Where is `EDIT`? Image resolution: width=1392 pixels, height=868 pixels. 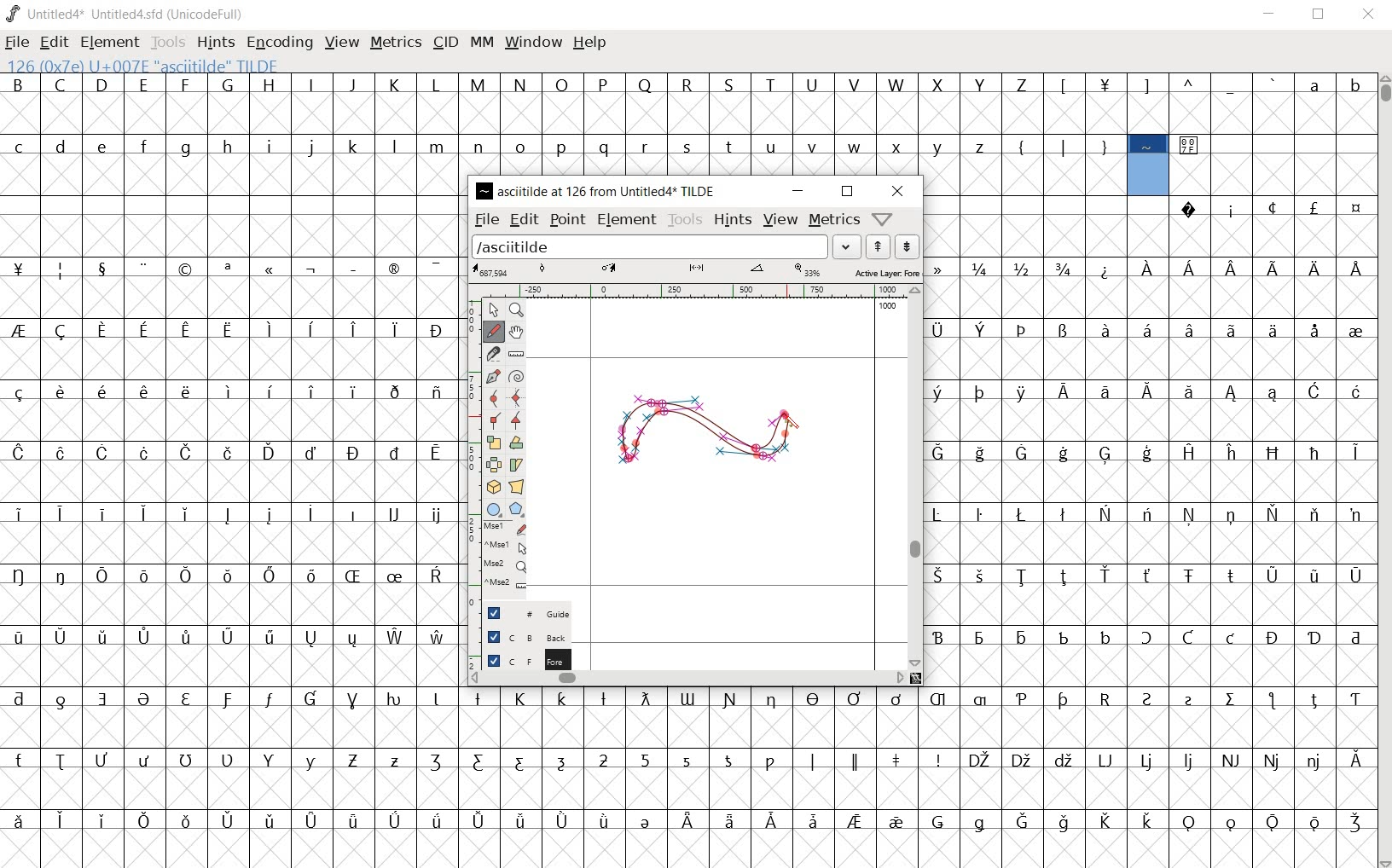
EDIT is located at coordinates (52, 42).